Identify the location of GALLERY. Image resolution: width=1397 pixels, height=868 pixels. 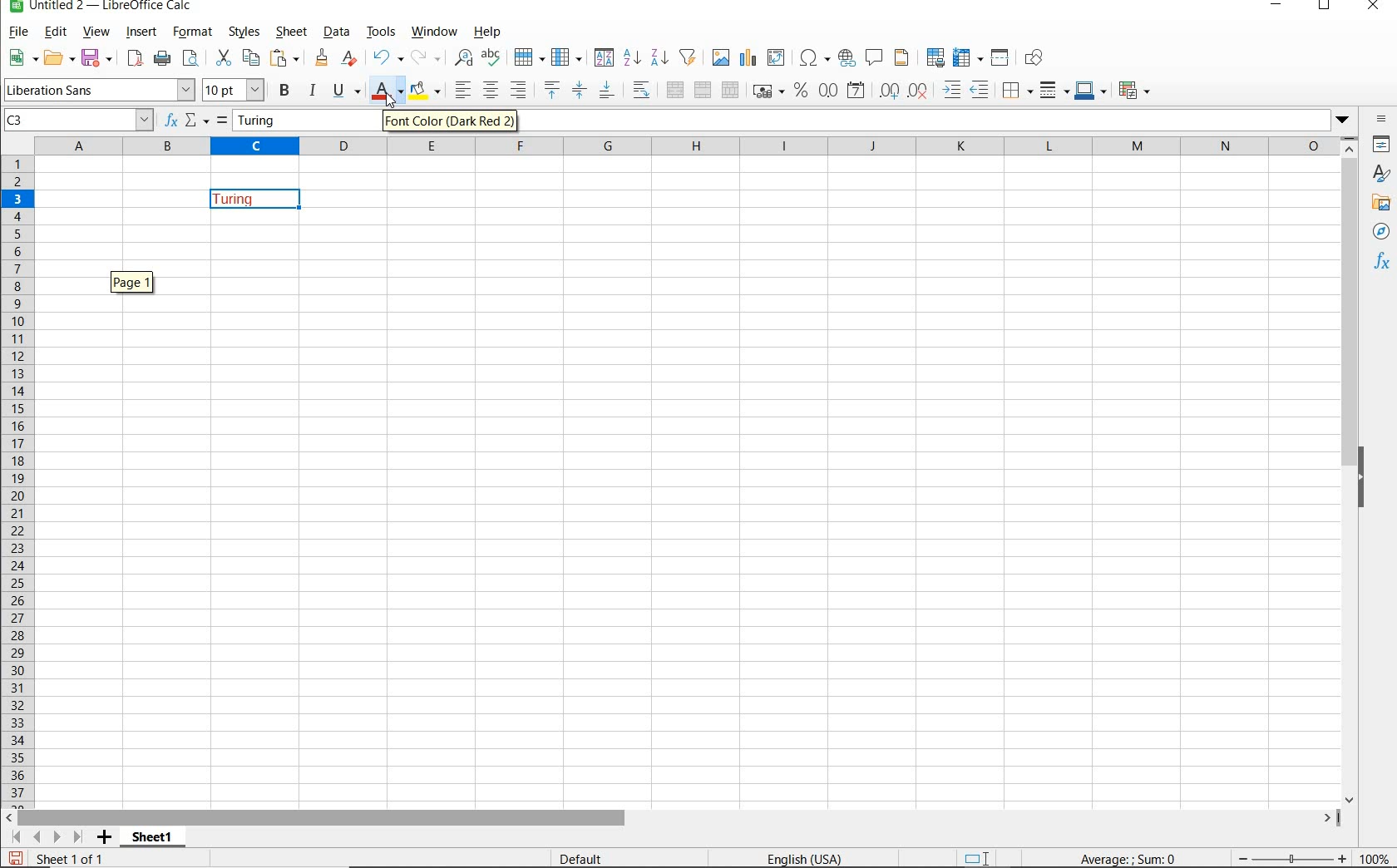
(1383, 204).